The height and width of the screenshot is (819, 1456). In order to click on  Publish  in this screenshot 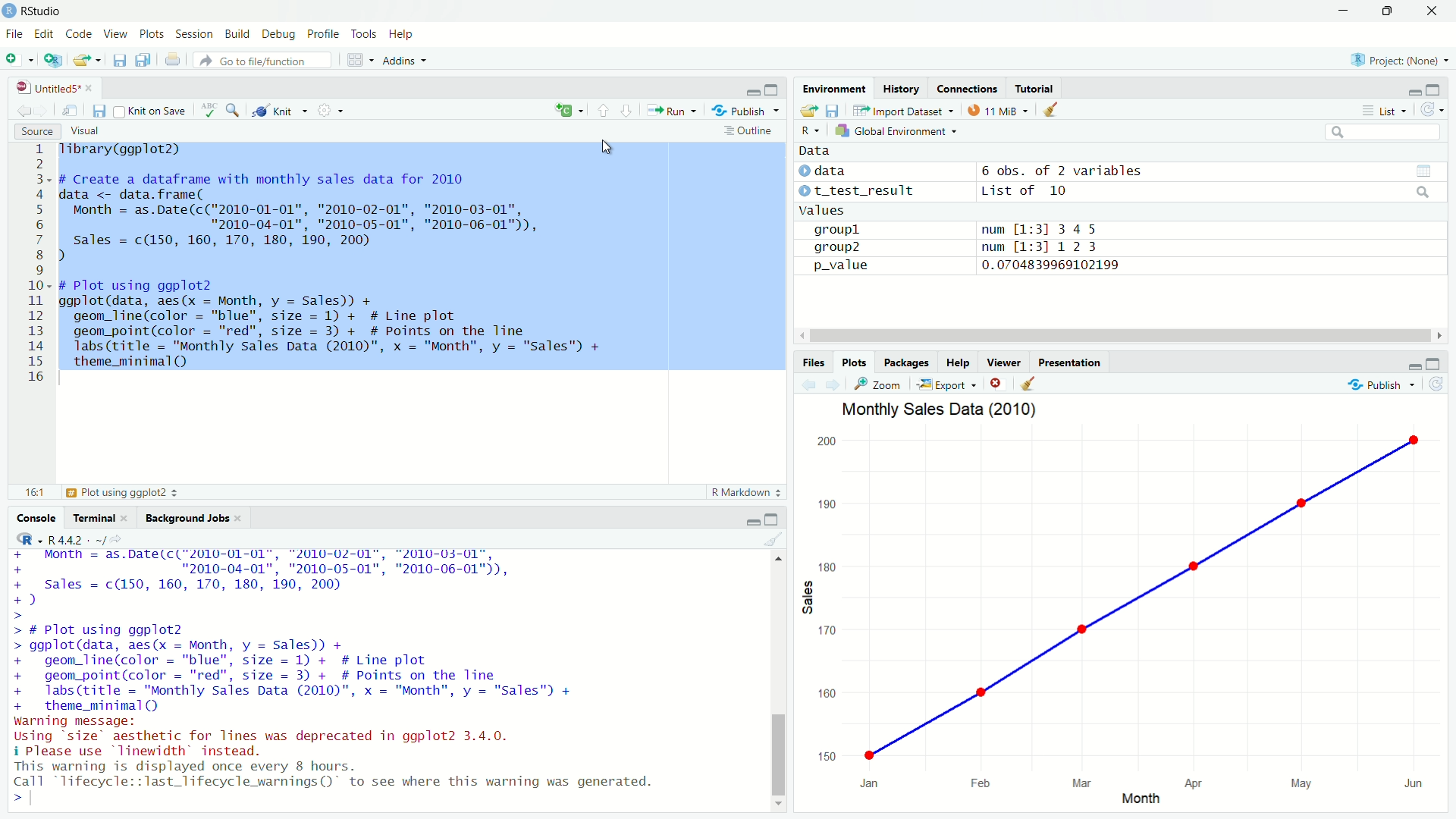, I will do `click(749, 111)`.